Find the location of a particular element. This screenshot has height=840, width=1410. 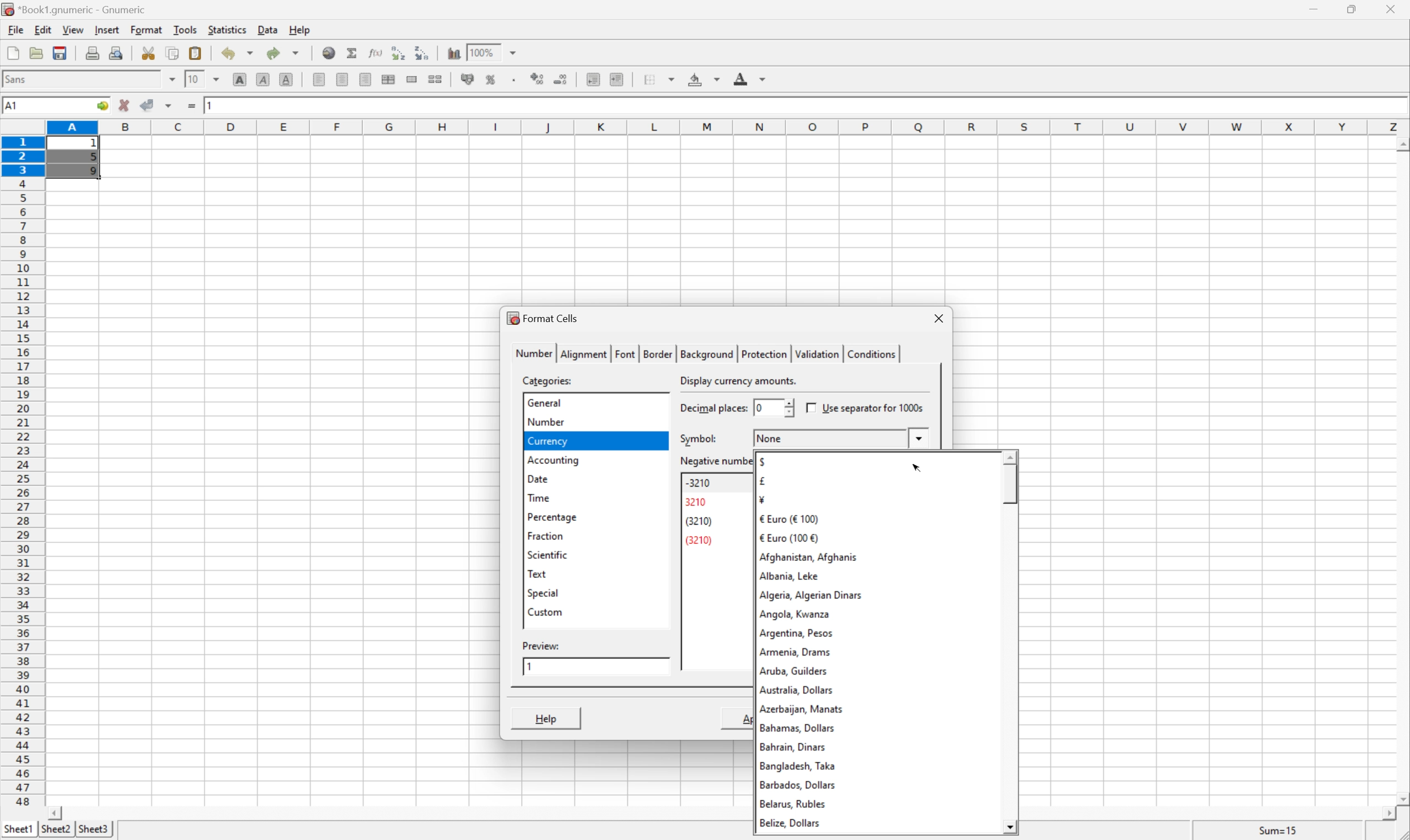

open a file is located at coordinates (35, 51).